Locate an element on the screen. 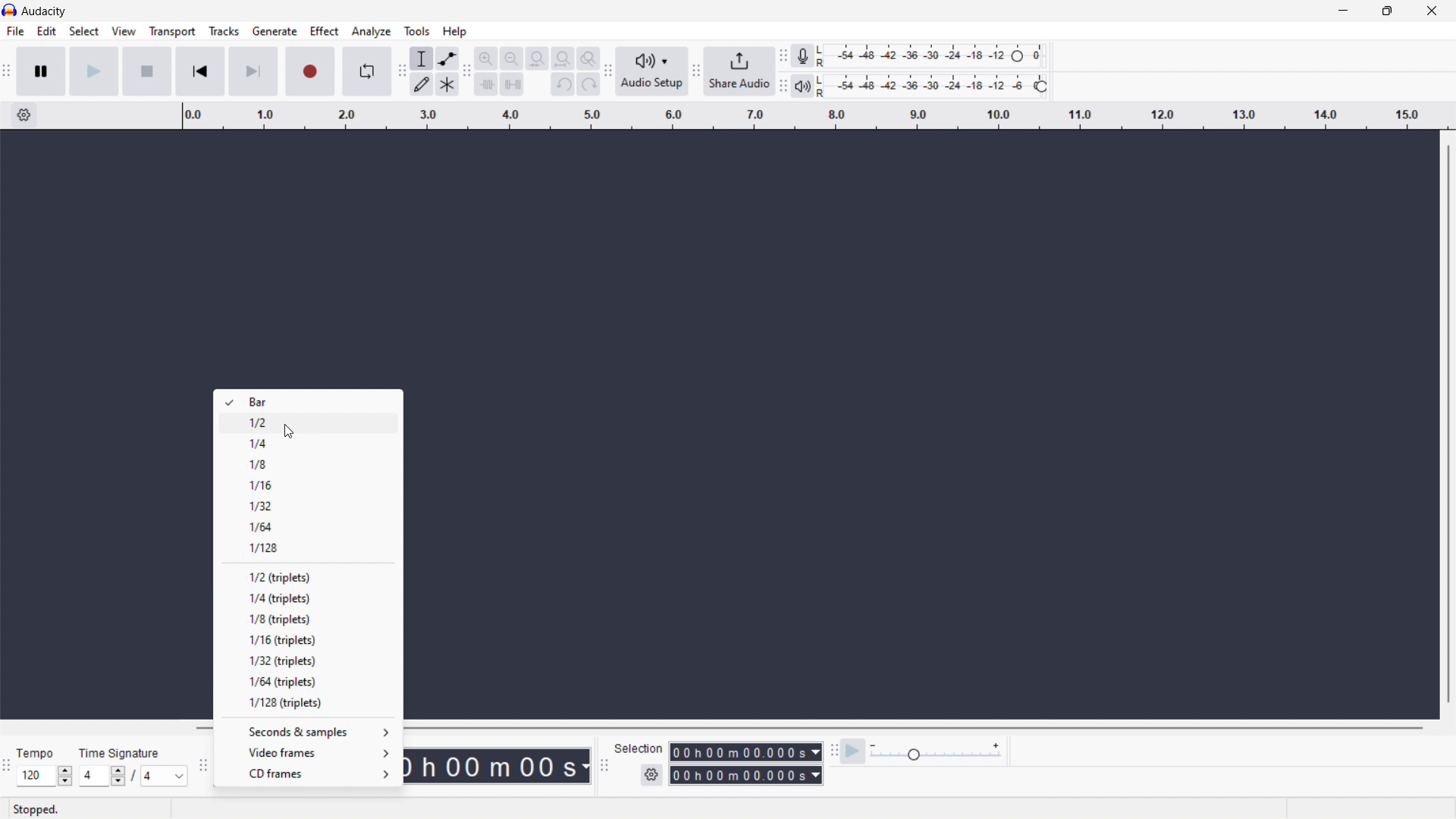 Image resolution: width=1456 pixels, height=819 pixels. silence audio selection is located at coordinates (511, 85).